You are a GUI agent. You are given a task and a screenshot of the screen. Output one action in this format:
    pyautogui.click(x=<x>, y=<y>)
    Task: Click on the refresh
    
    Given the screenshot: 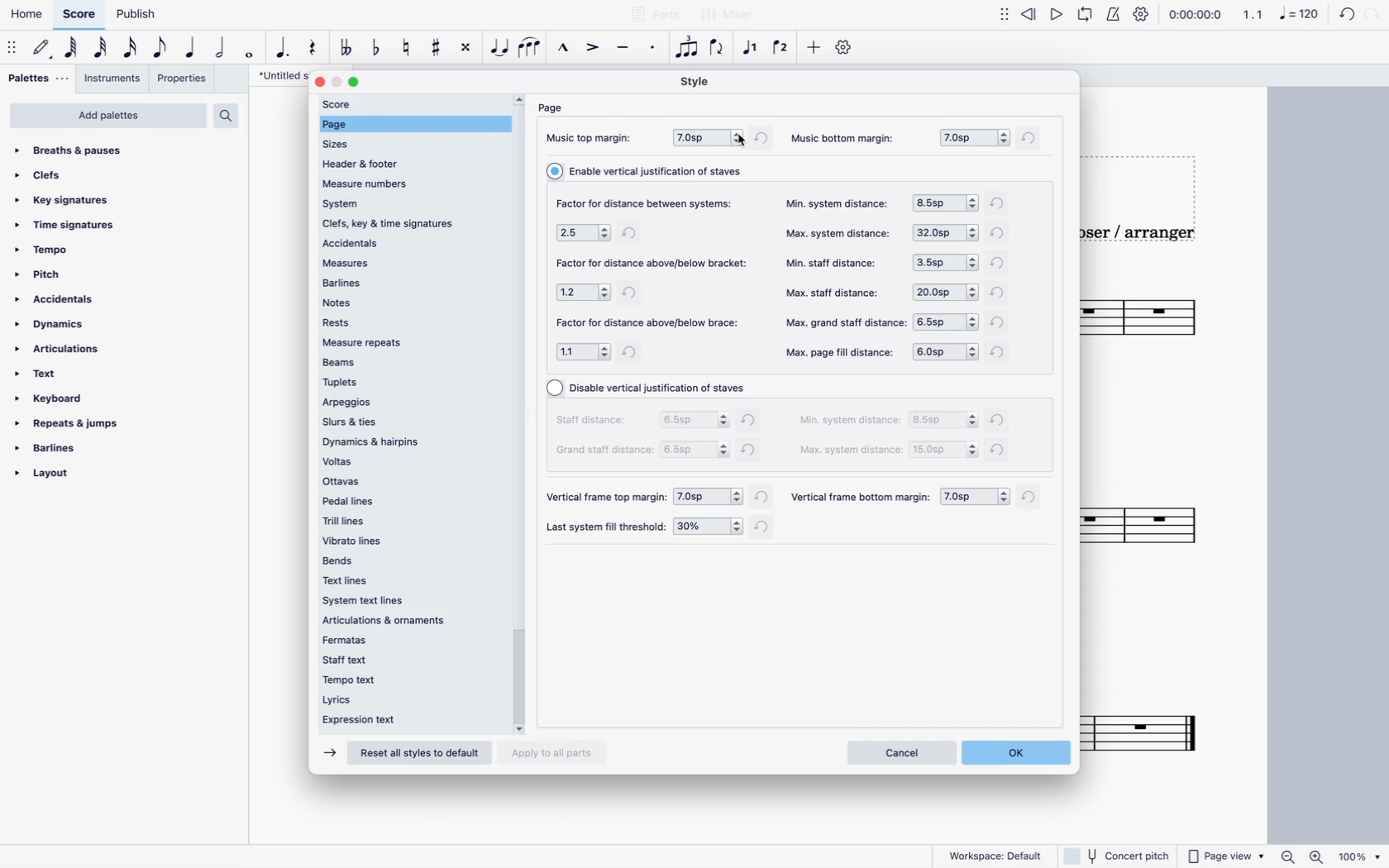 What is the action you would take?
    pyautogui.click(x=1002, y=232)
    